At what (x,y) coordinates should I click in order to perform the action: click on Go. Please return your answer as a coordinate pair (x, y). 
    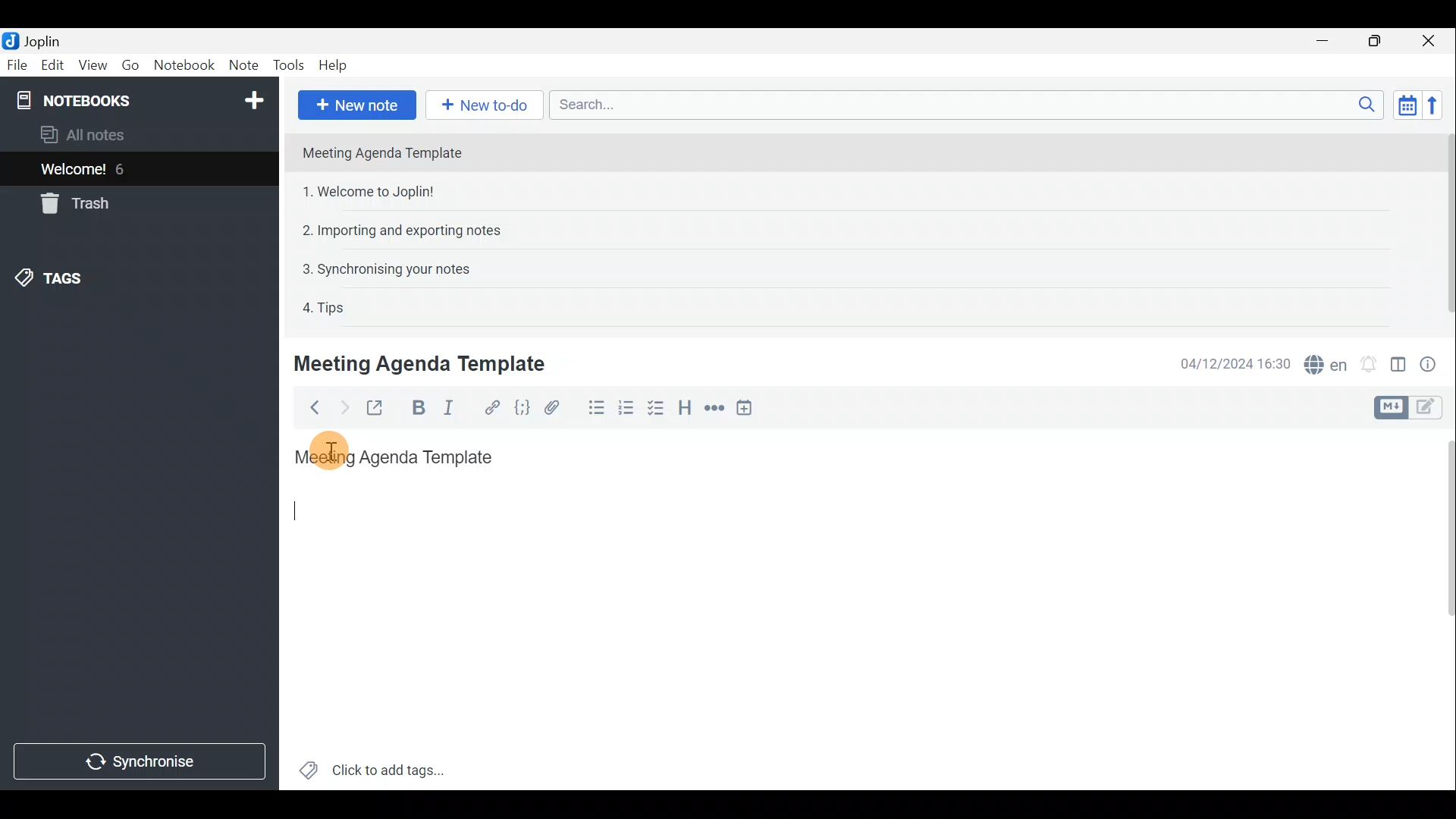
    Looking at the image, I should click on (129, 64).